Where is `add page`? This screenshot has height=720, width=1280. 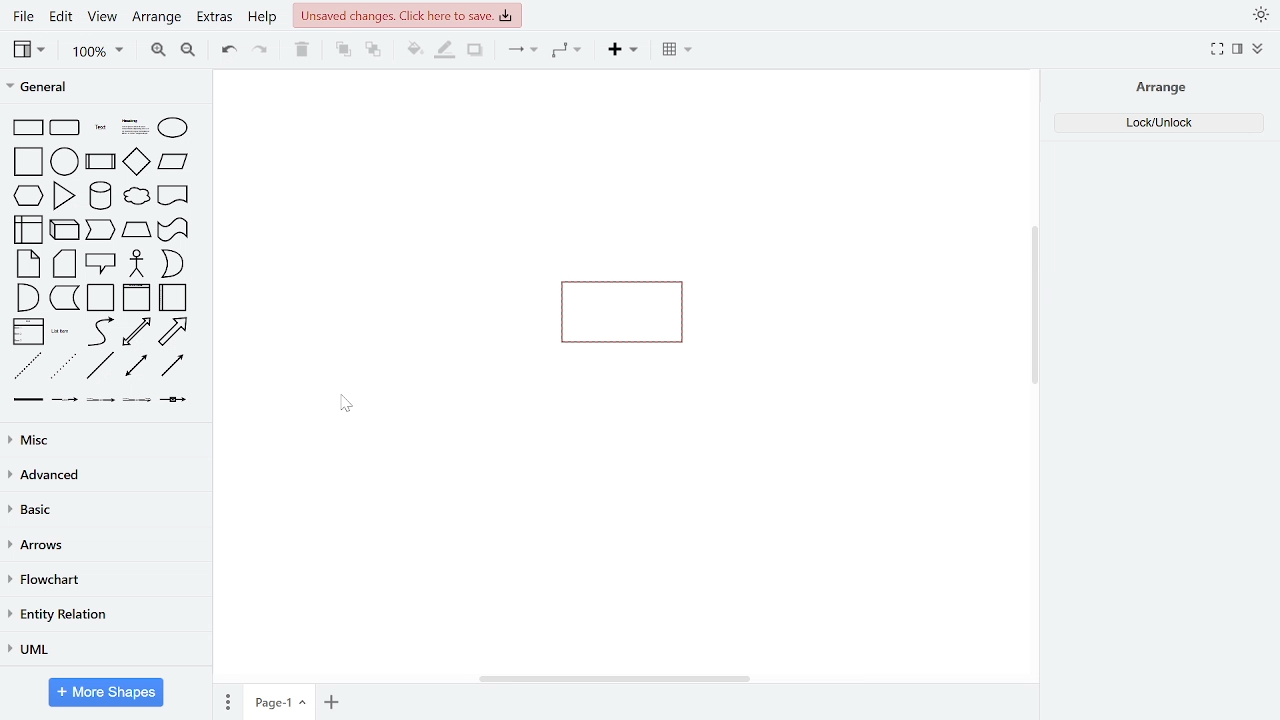 add page is located at coordinates (331, 703).